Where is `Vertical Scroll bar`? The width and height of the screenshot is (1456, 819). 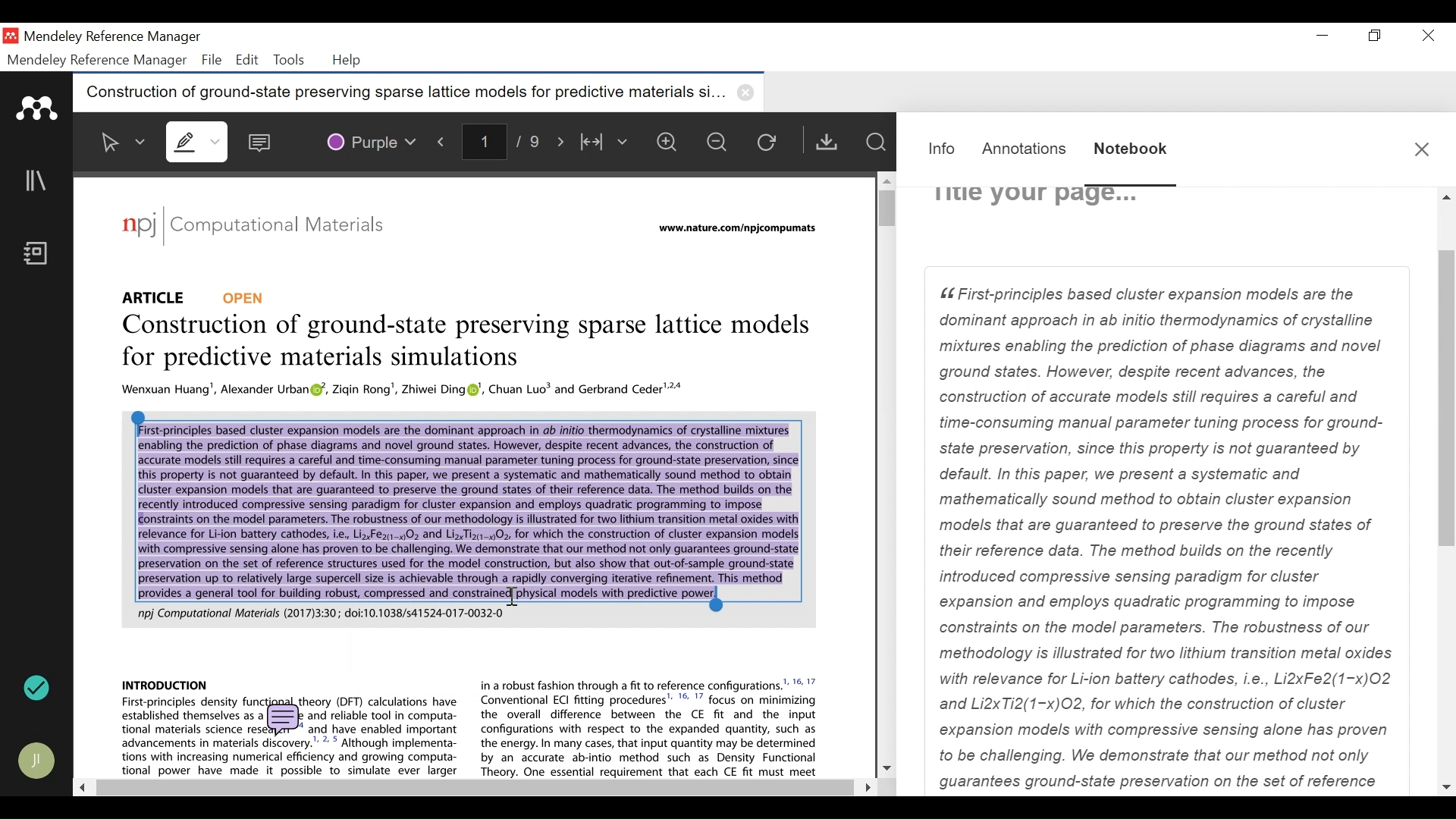
Vertical Scroll bar is located at coordinates (882, 207).